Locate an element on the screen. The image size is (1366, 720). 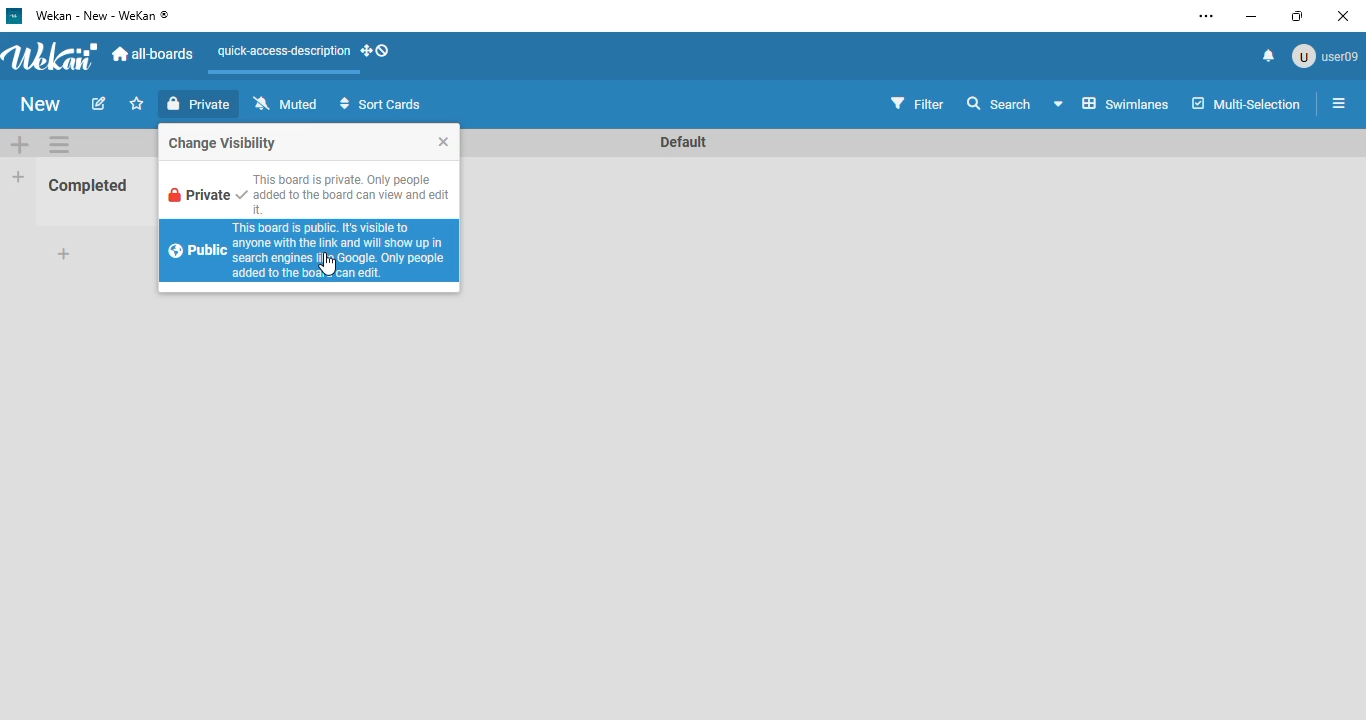
click to star this board is located at coordinates (137, 104).